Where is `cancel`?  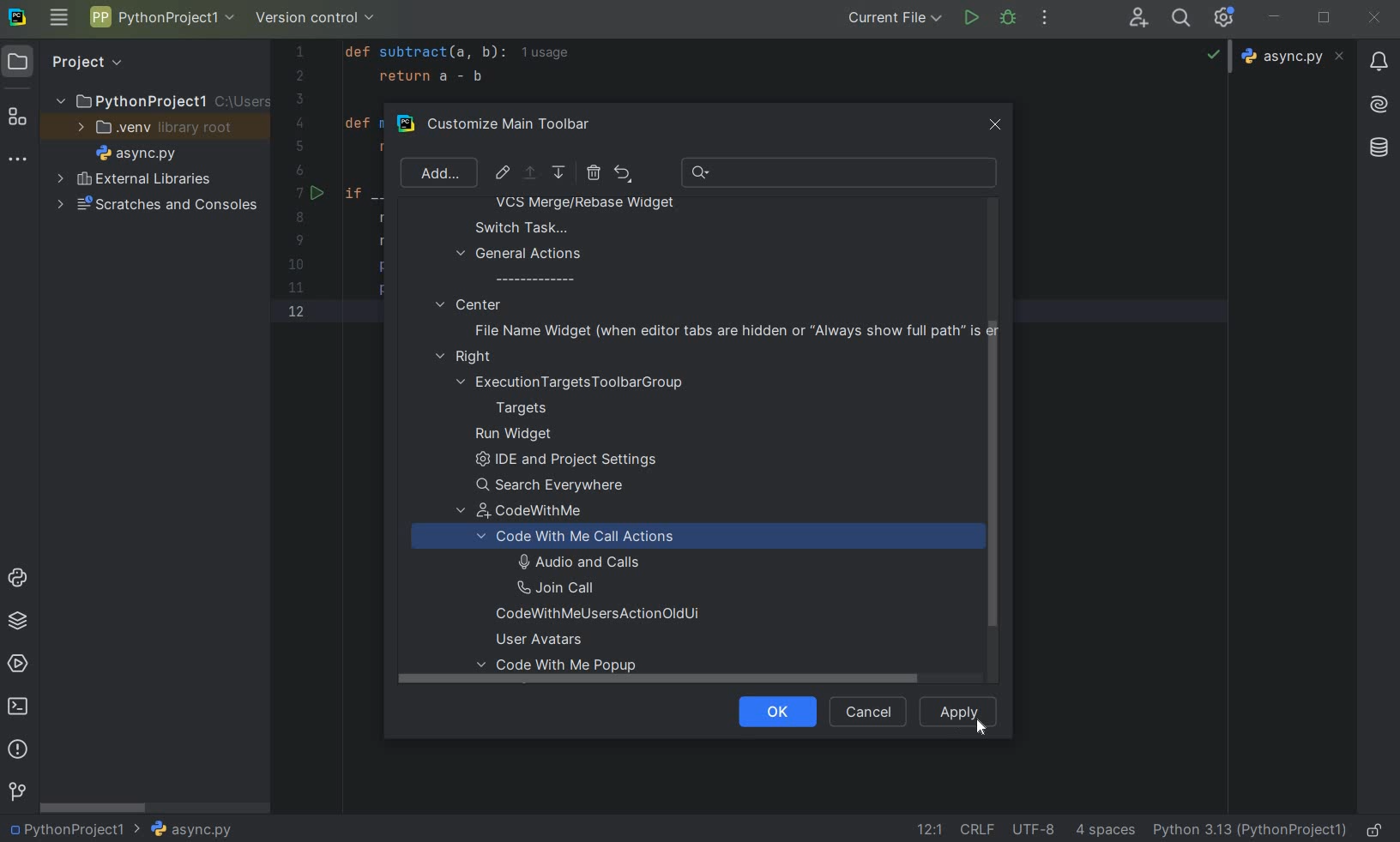
cancel is located at coordinates (865, 713).